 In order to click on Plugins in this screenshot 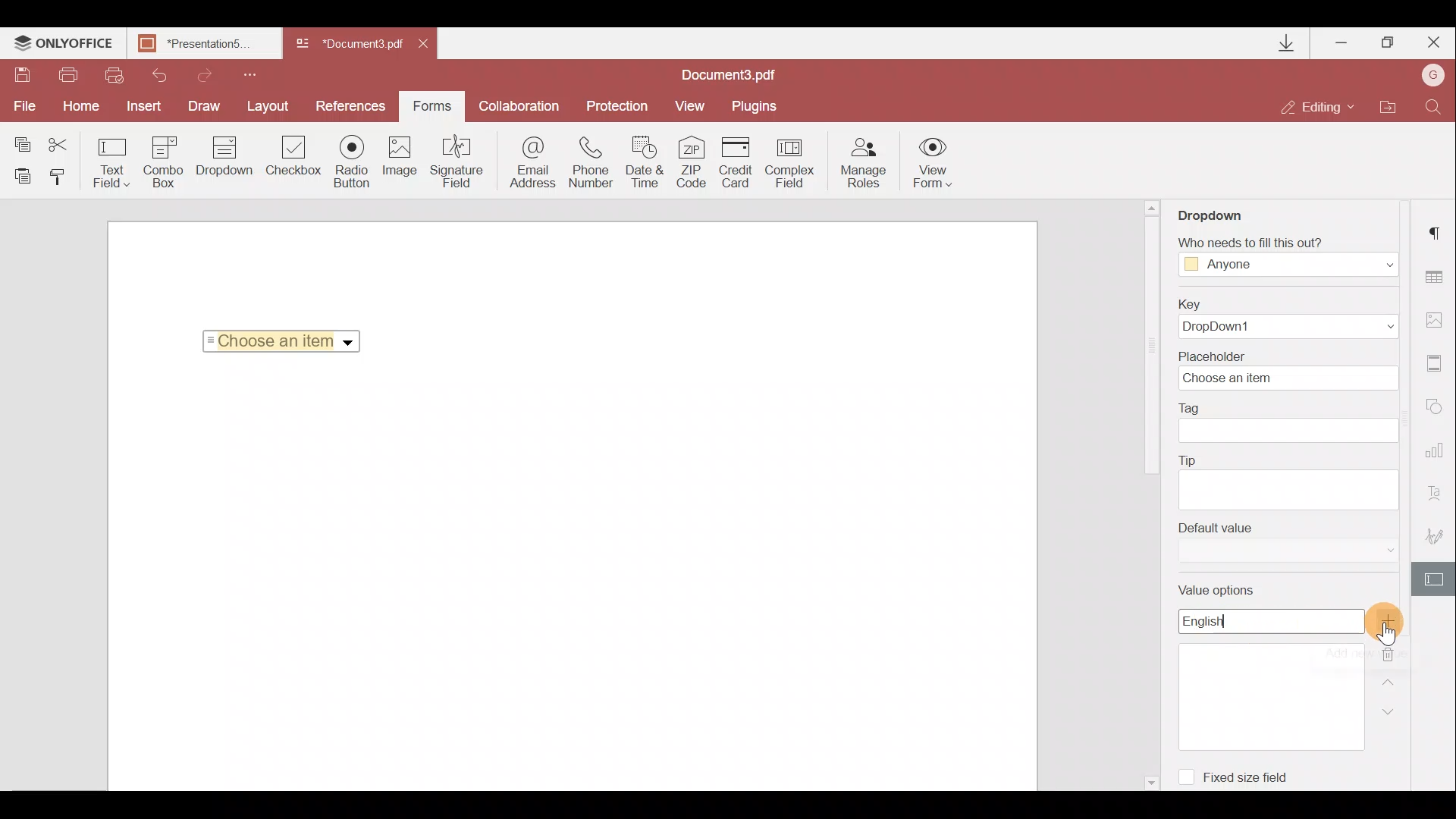, I will do `click(757, 104)`.